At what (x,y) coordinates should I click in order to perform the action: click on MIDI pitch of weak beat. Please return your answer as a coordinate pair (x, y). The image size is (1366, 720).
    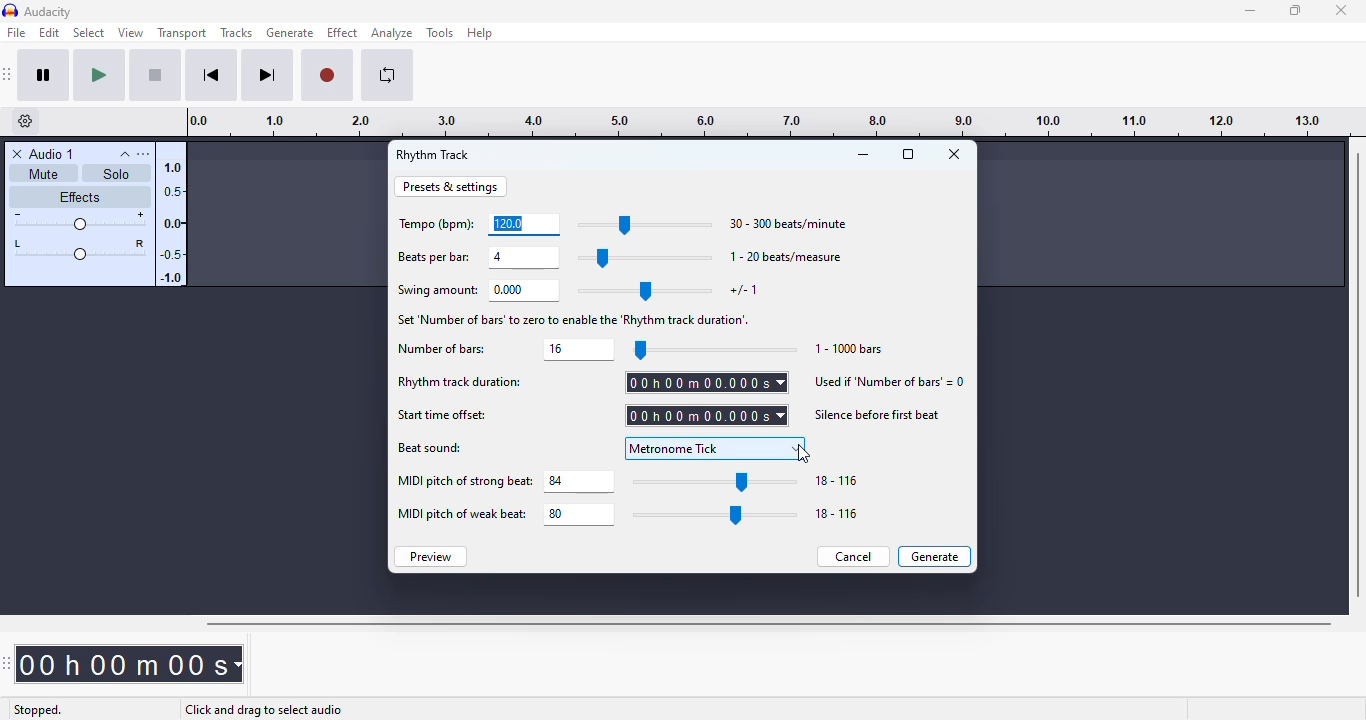
    Looking at the image, I should click on (462, 515).